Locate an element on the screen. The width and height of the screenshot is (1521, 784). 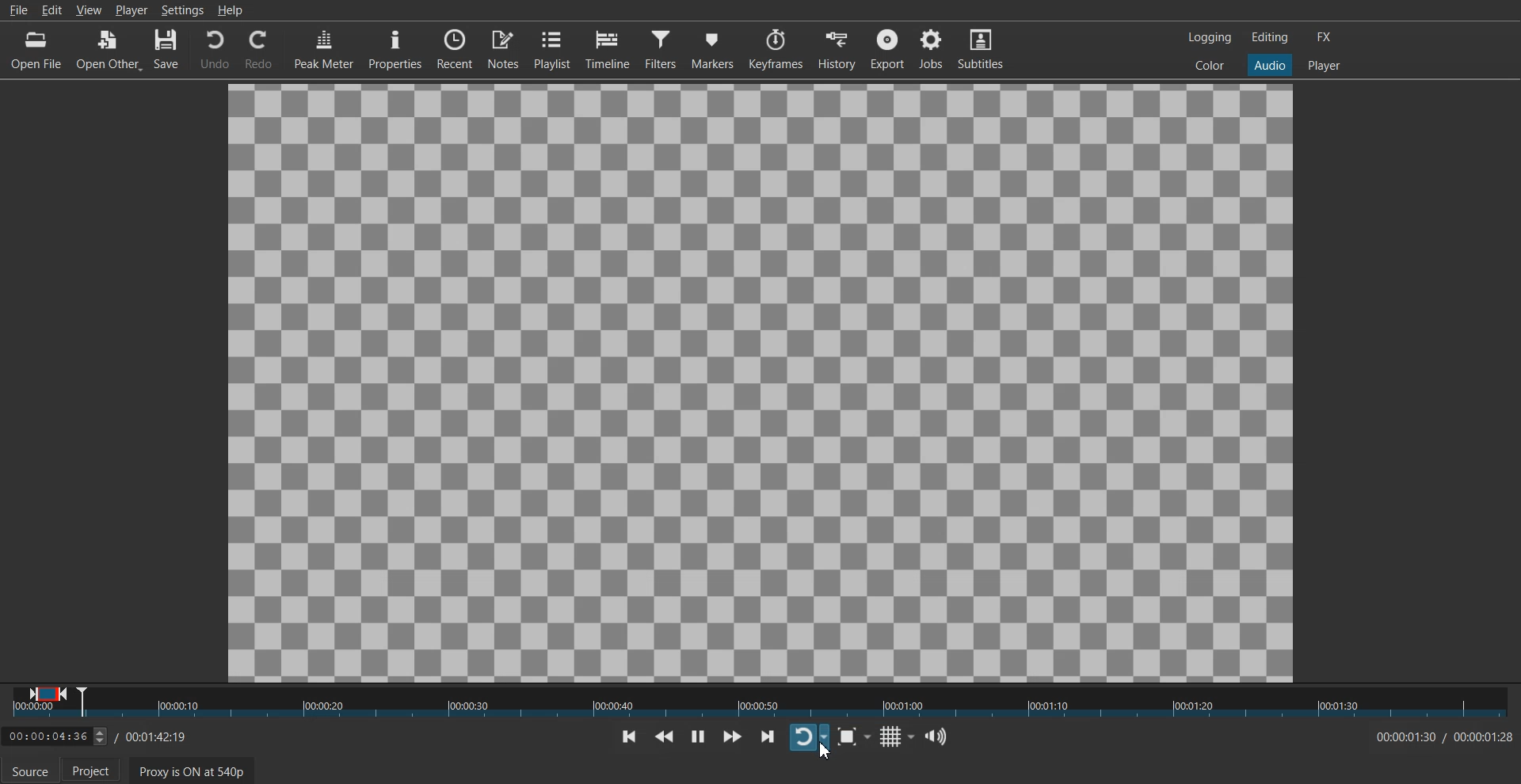
Peak Meter is located at coordinates (322, 48).